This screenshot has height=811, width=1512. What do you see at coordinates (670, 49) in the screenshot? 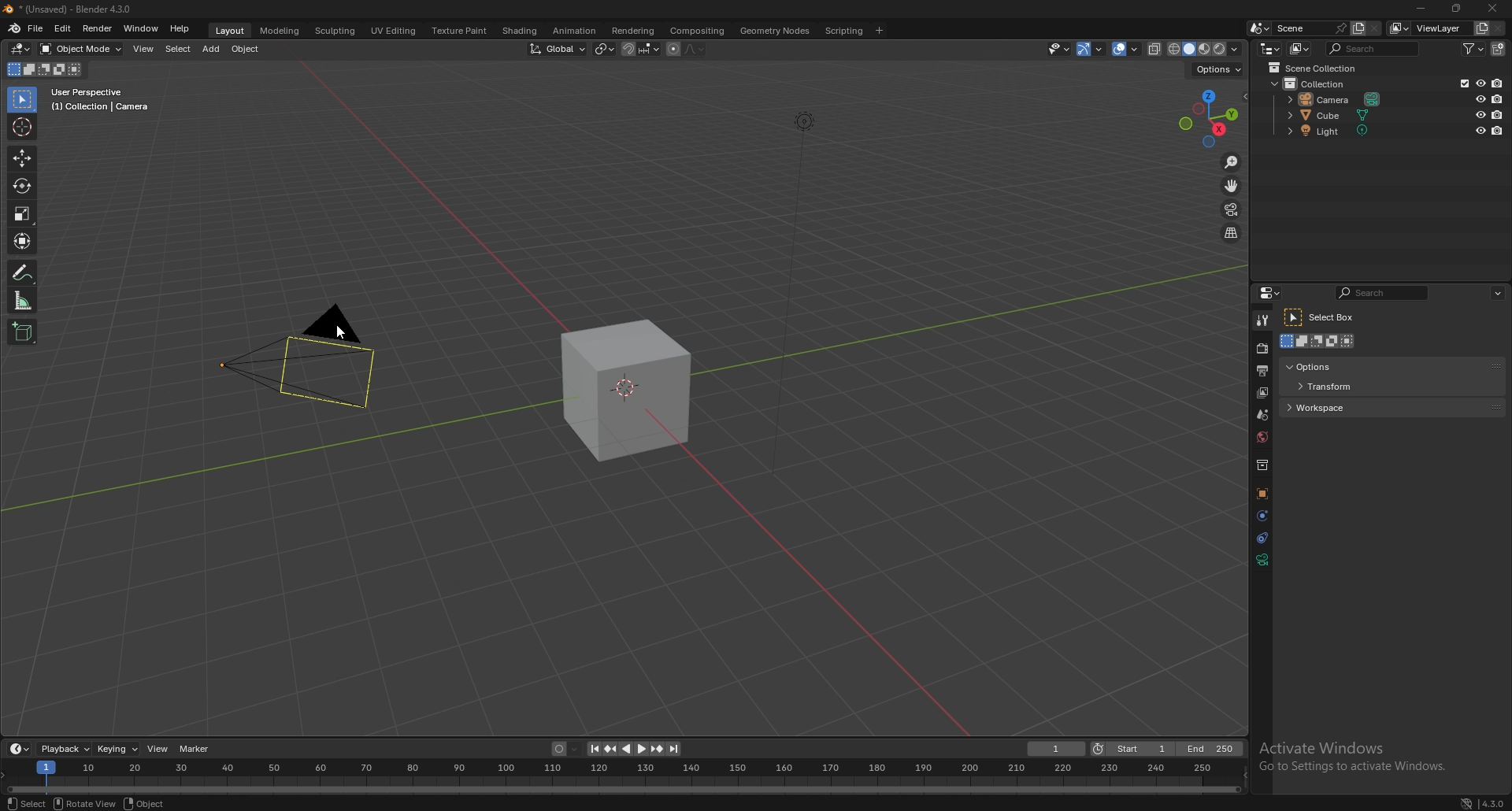
I see `proportional editing objects` at bounding box center [670, 49].